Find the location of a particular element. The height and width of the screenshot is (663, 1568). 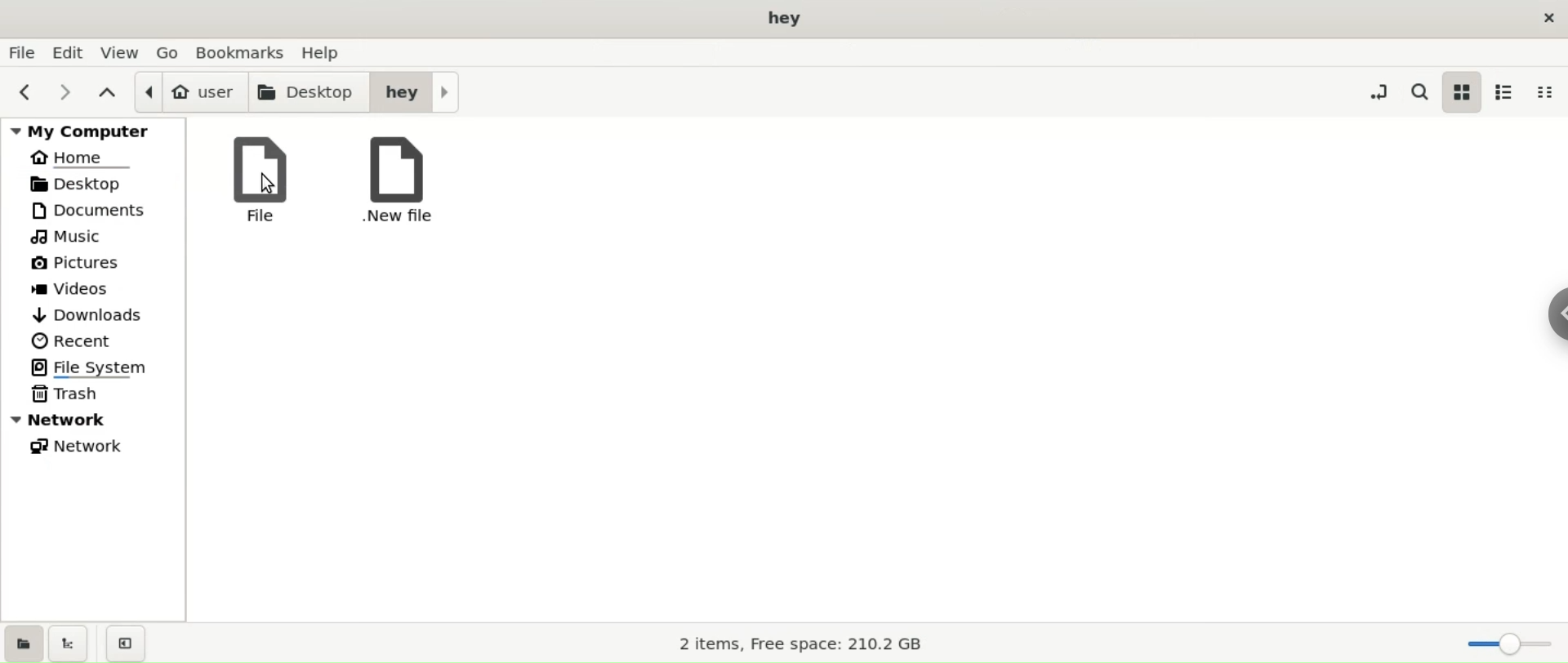

desktop  is located at coordinates (310, 91).